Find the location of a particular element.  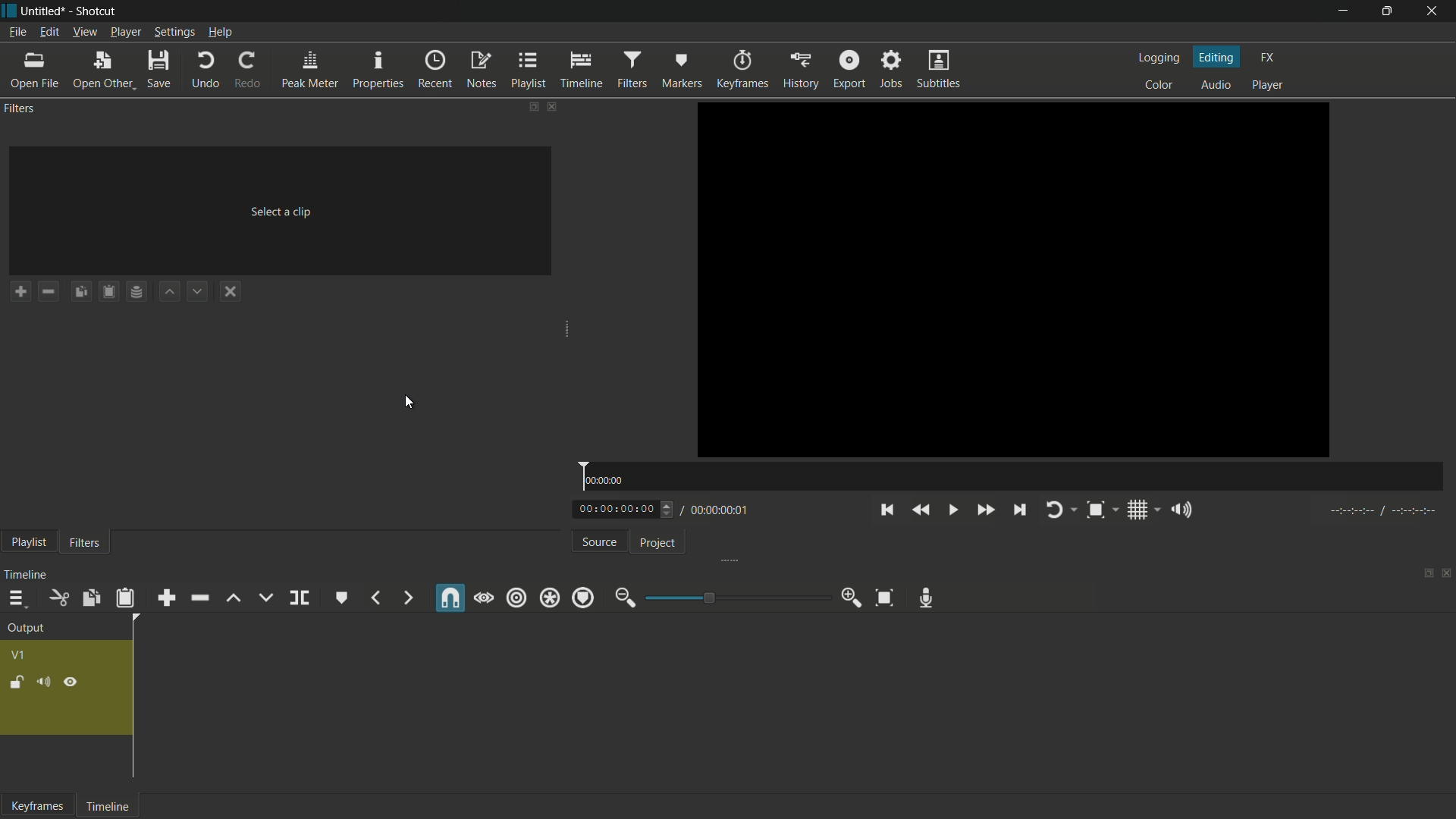

recent is located at coordinates (435, 69).